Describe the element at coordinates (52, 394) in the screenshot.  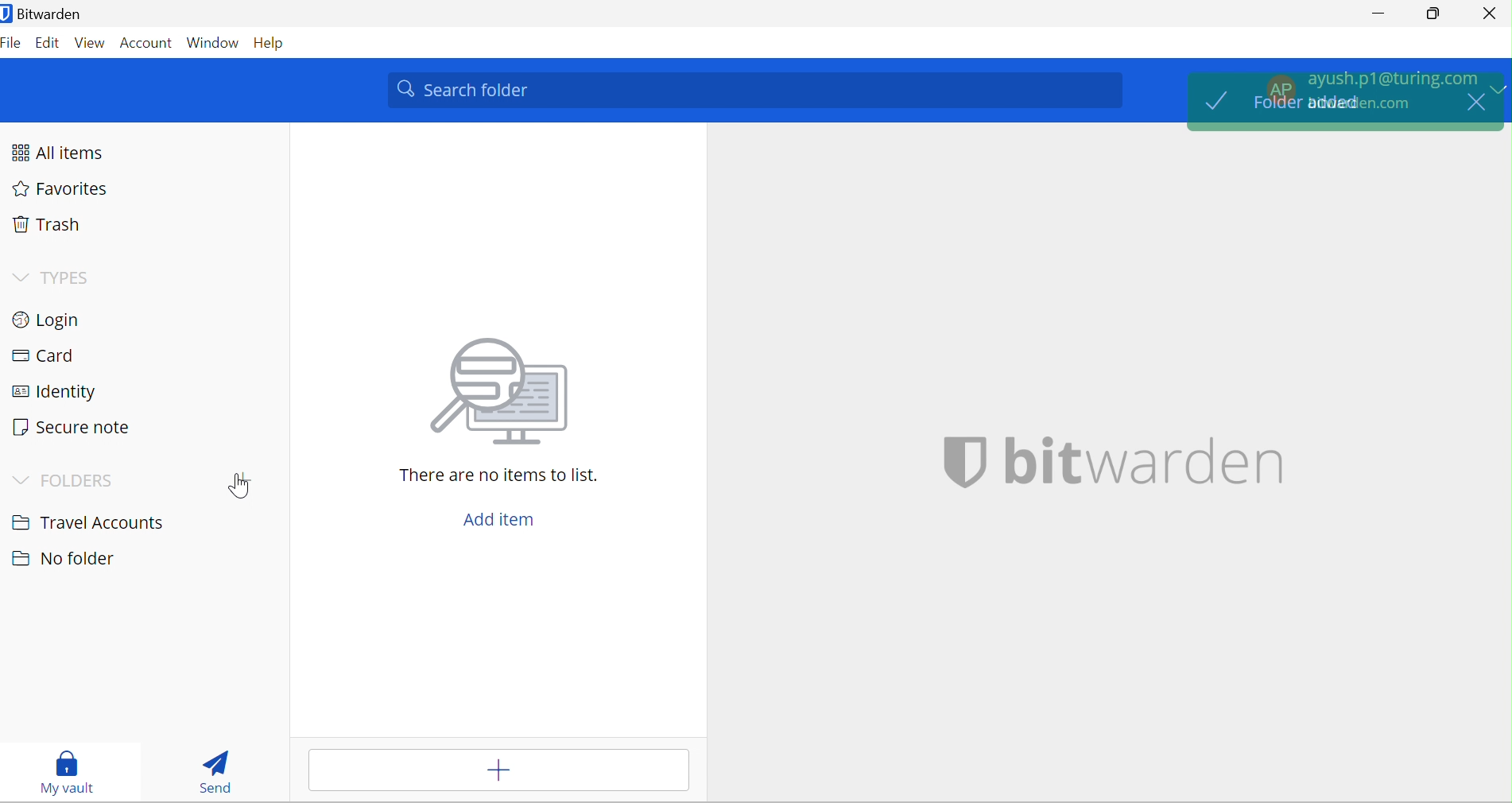
I see `Identity` at that location.